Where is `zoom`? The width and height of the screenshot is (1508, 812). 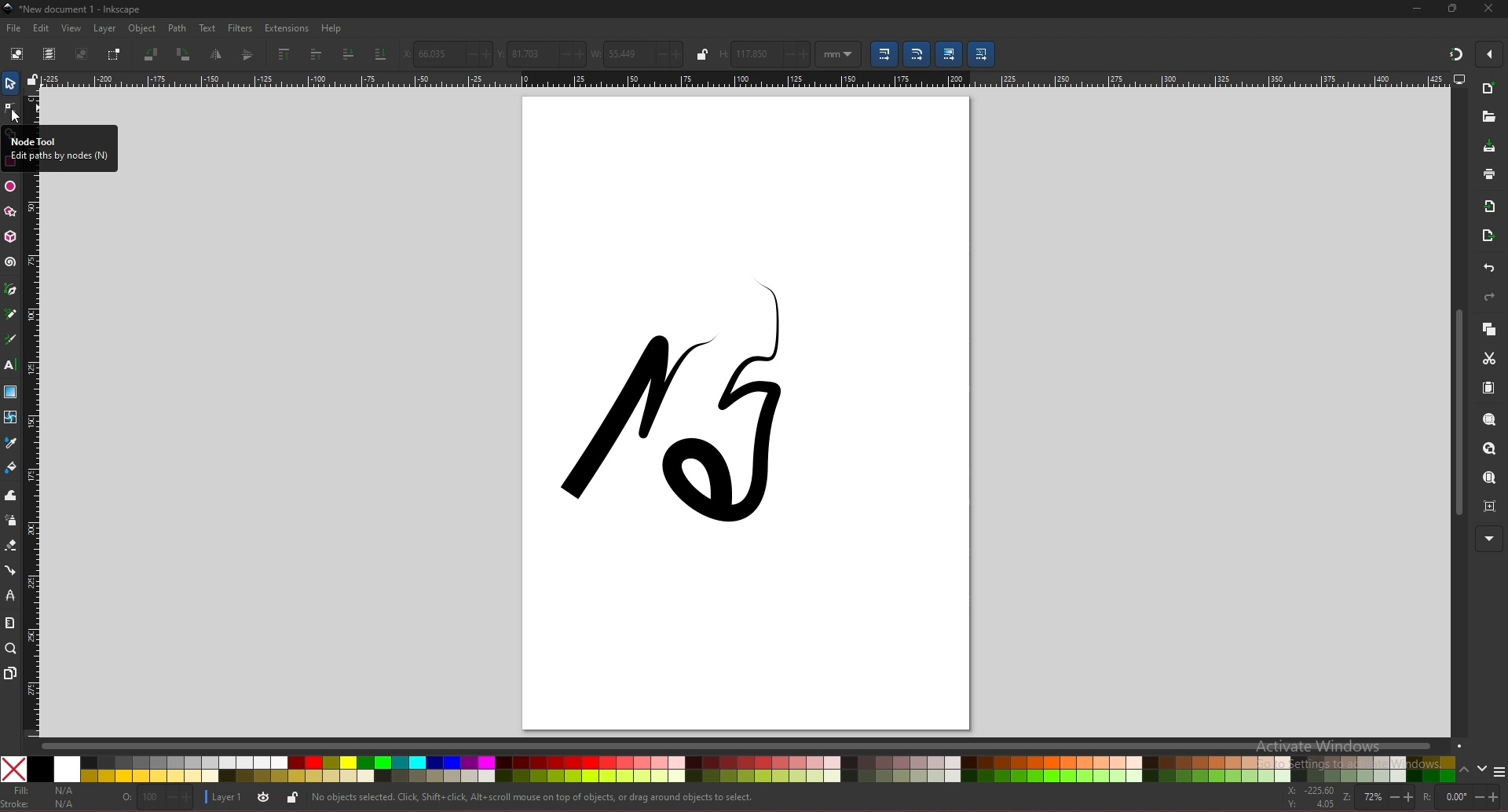 zoom is located at coordinates (1377, 798).